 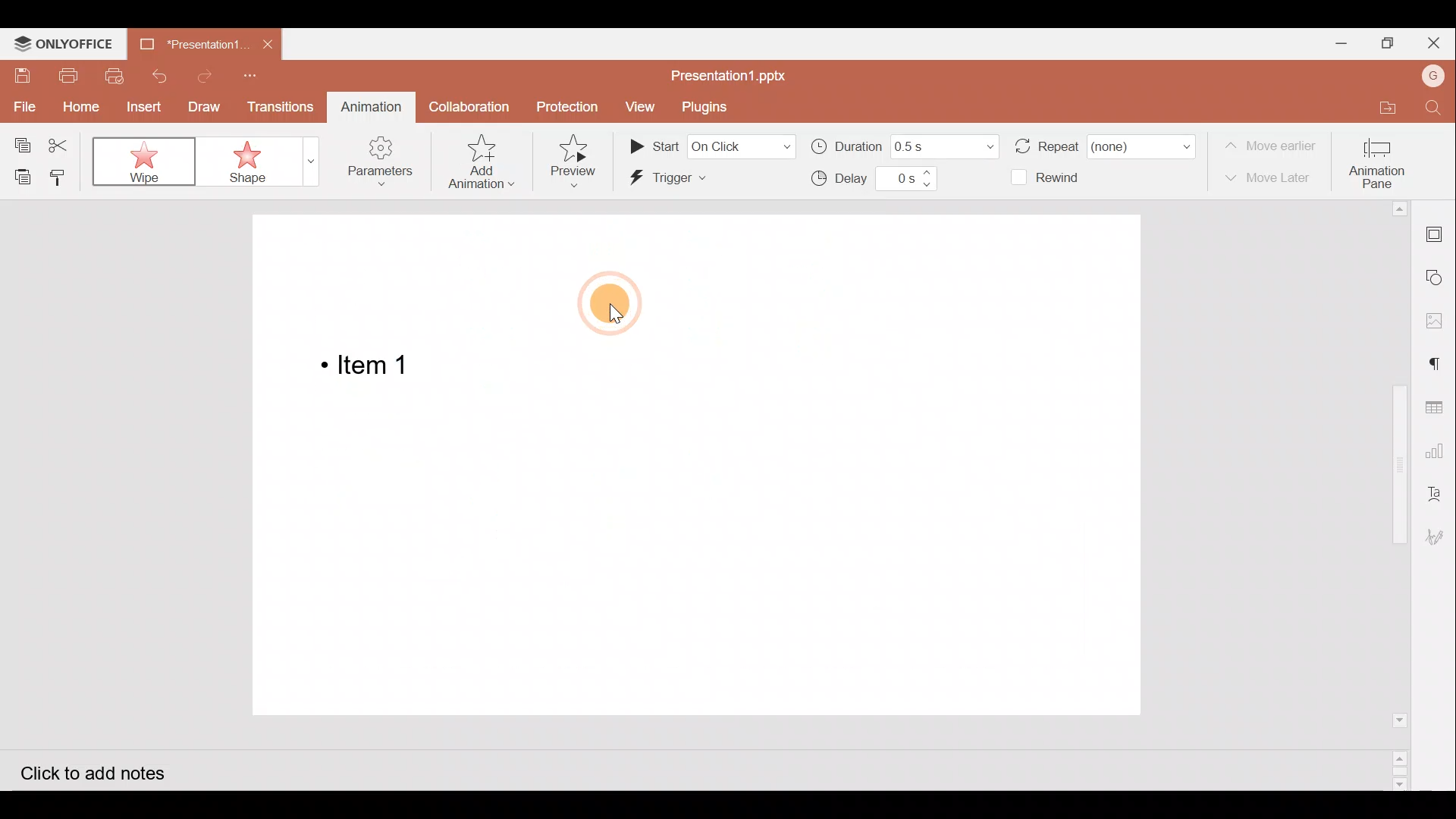 What do you see at coordinates (1379, 101) in the screenshot?
I see `Open file location` at bounding box center [1379, 101].